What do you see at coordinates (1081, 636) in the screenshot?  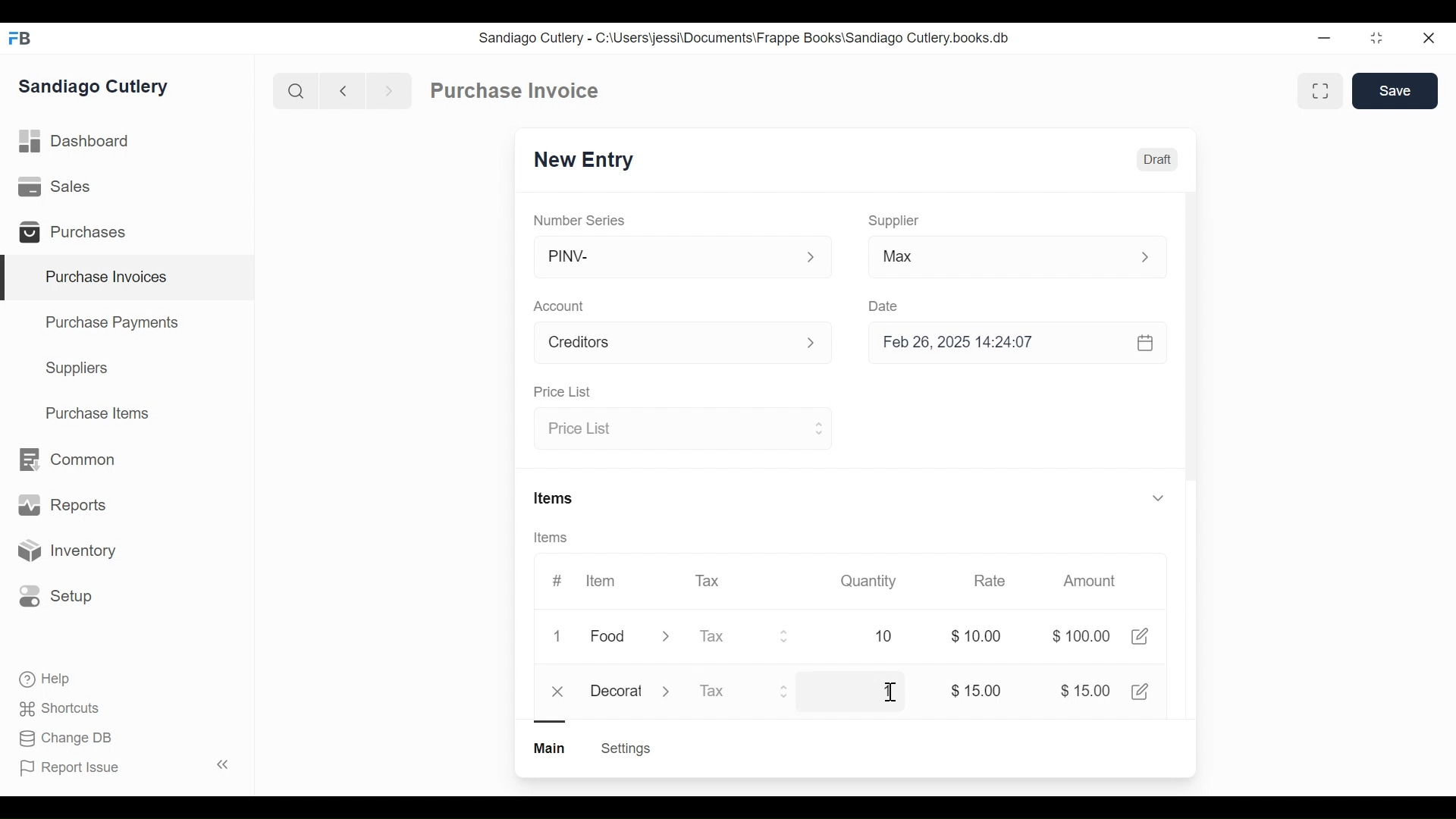 I see `$100.00` at bounding box center [1081, 636].